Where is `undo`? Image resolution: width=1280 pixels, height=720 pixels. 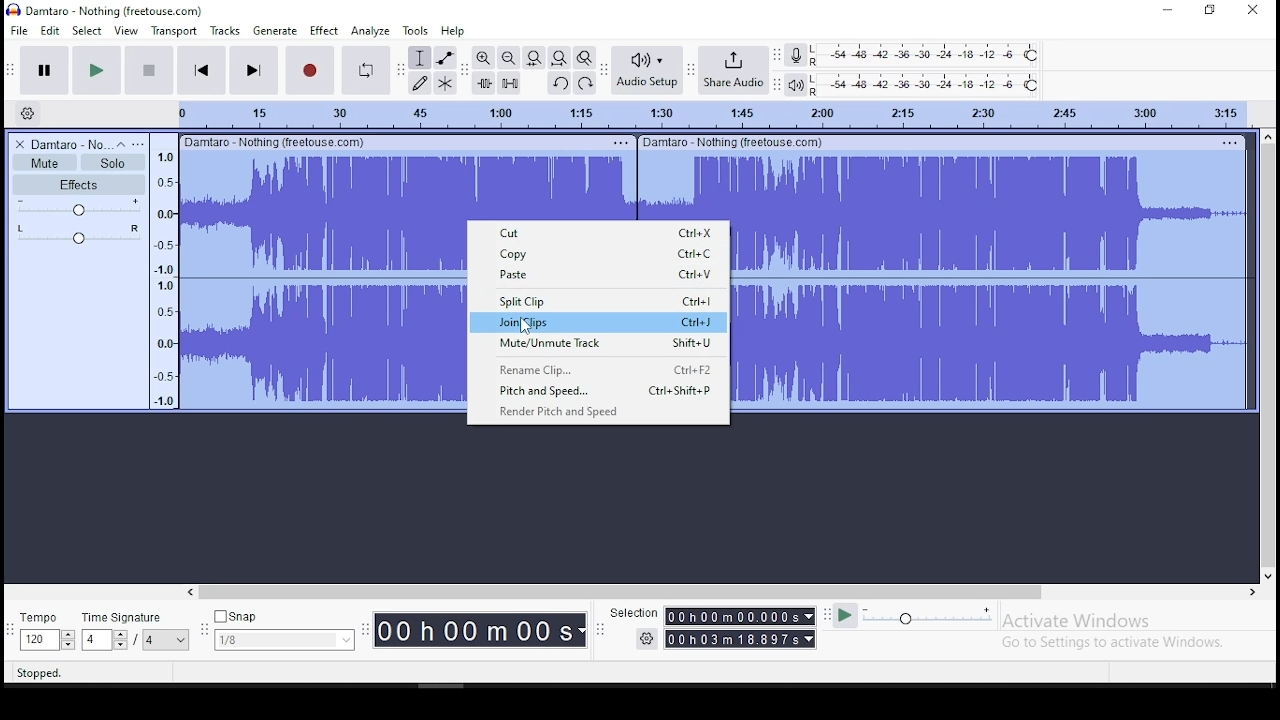 undo is located at coordinates (561, 83).